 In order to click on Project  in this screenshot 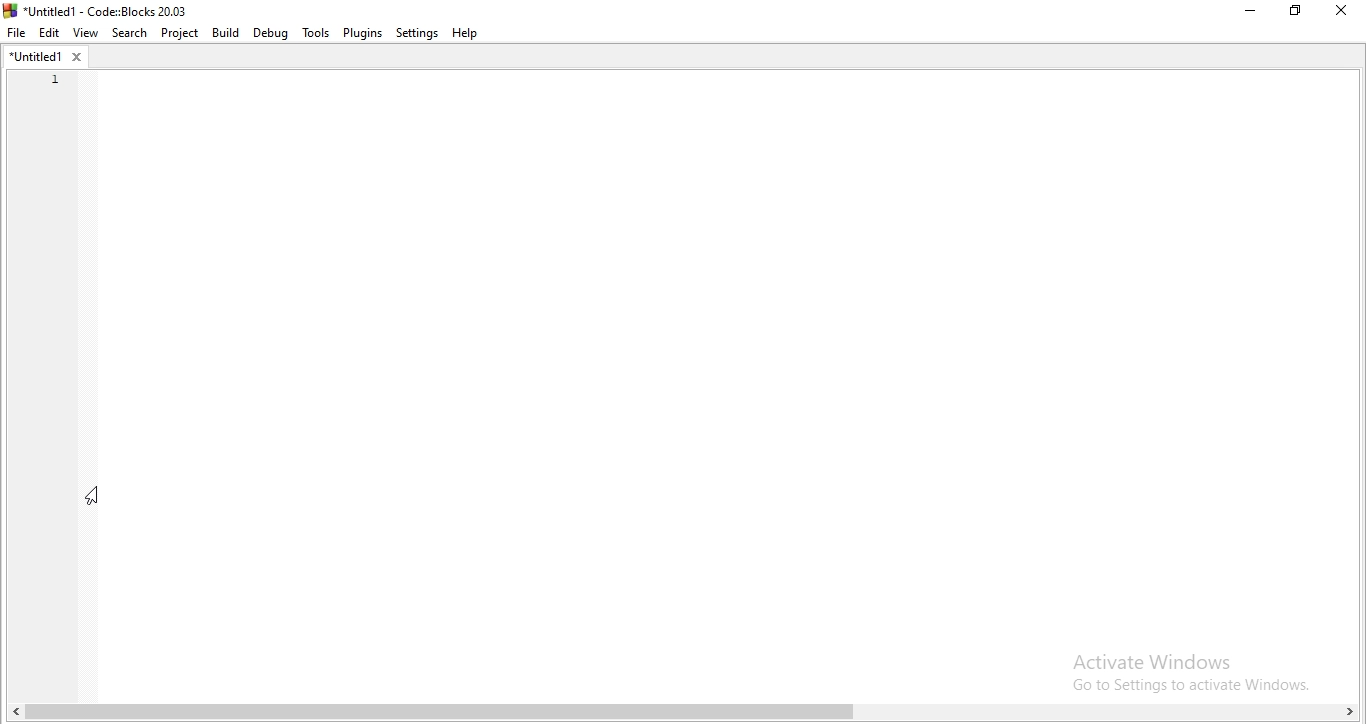, I will do `click(182, 33)`.